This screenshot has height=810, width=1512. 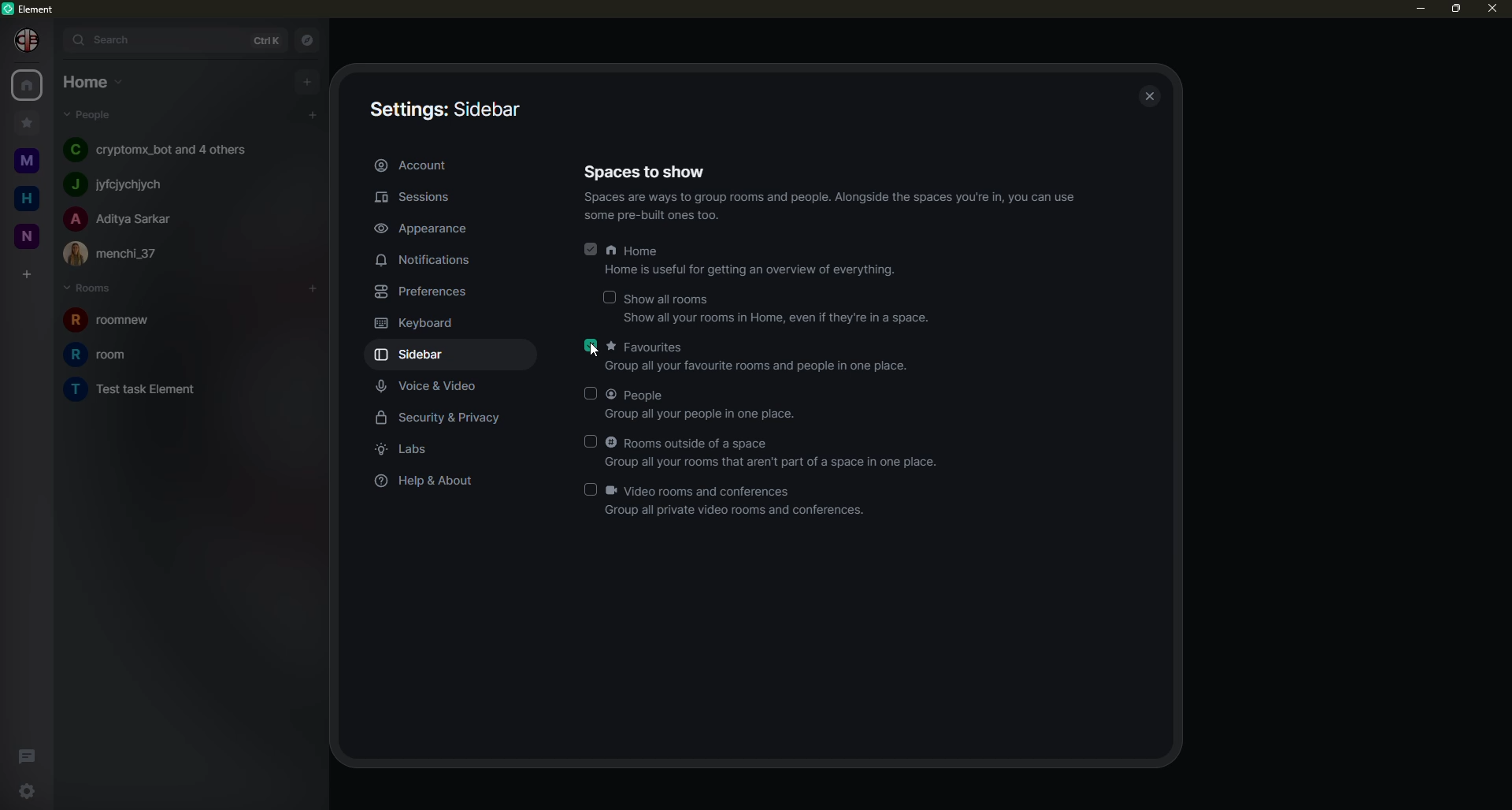 I want to click on home, so click(x=91, y=83).